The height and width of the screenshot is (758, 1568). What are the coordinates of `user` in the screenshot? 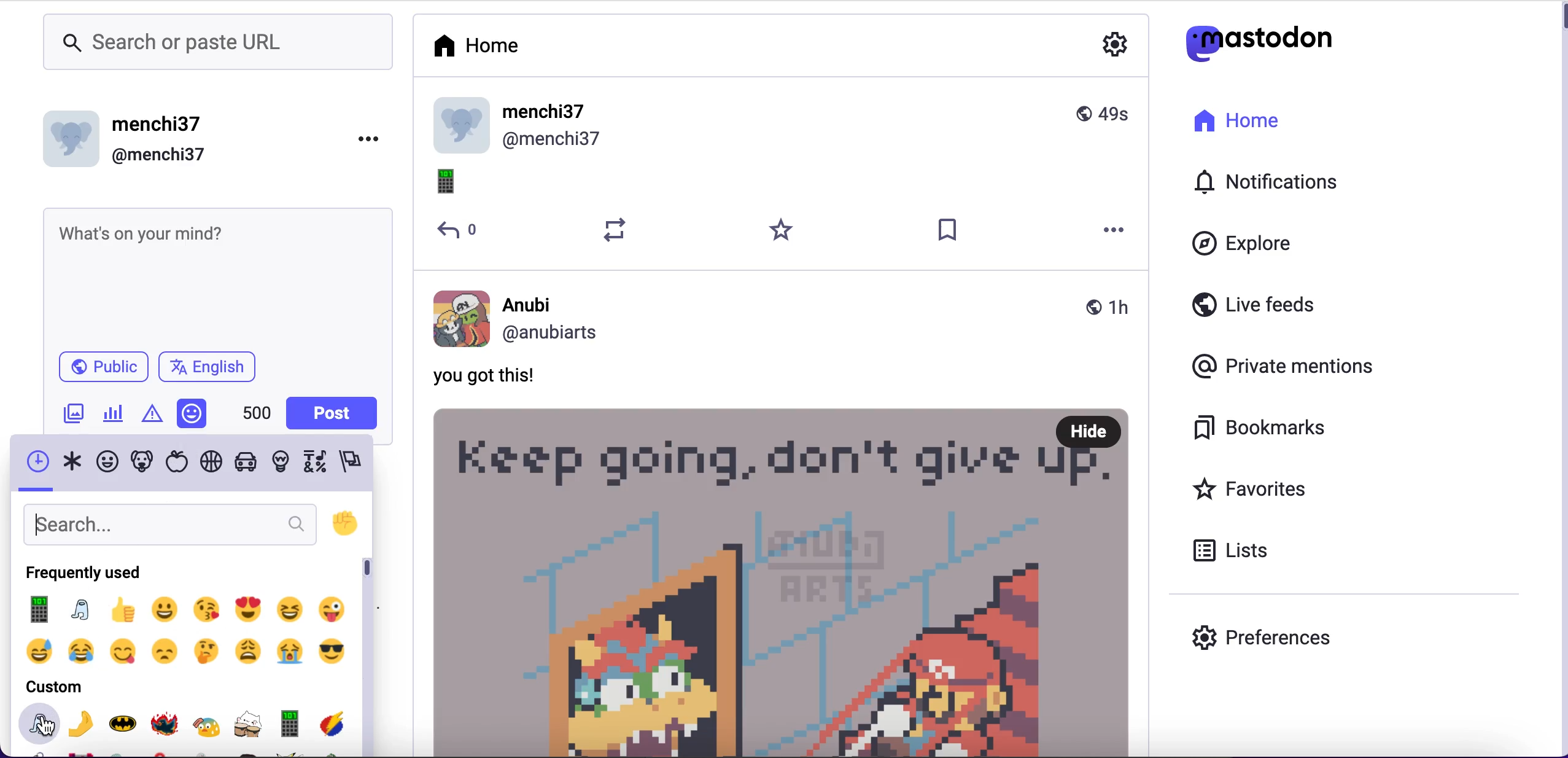 It's located at (784, 318).